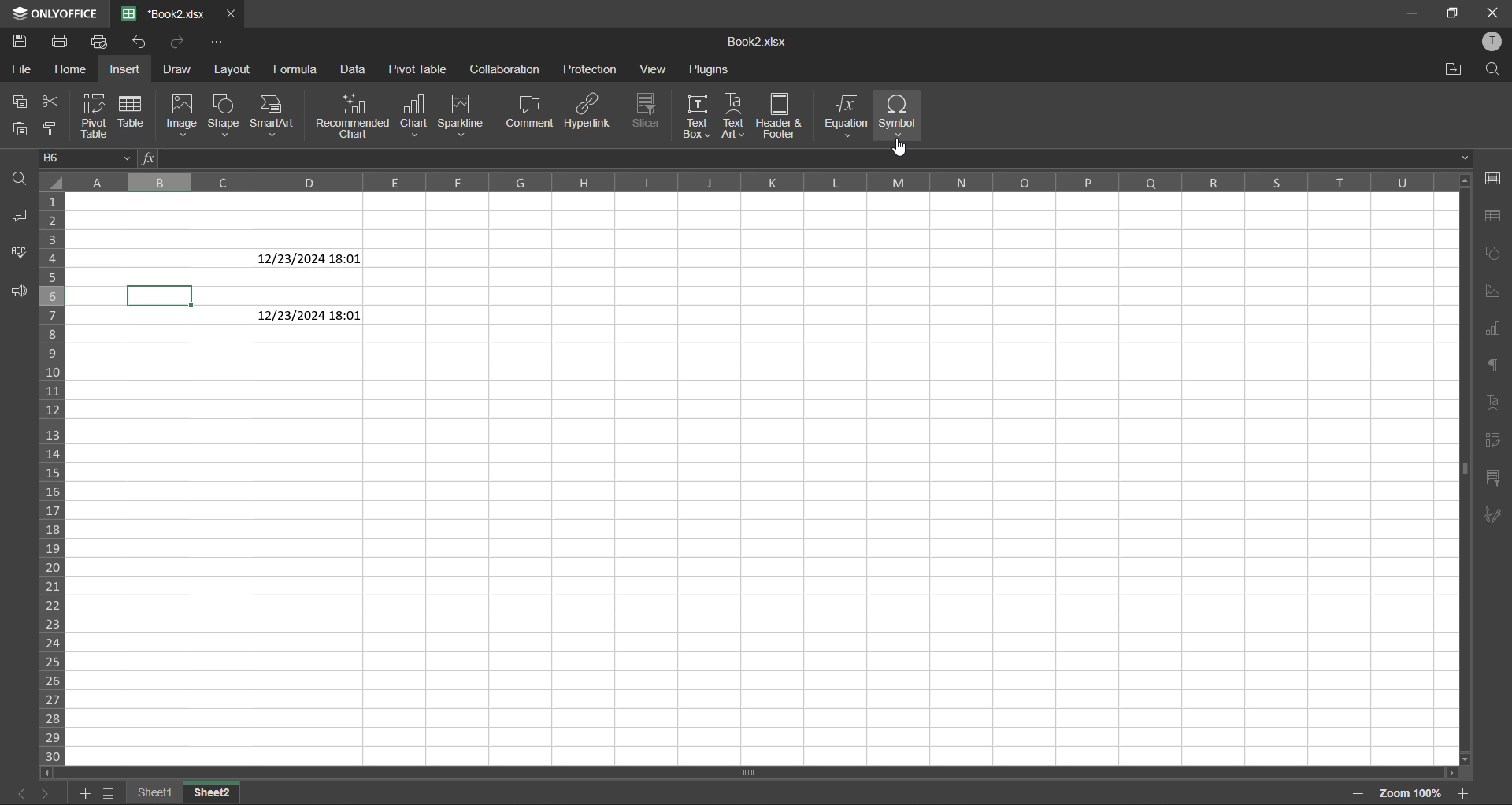 This screenshot has width=1512, height=805. What do you see at coordinates (46, 793) in the screenshot?
I see `next` at bounding box center [46, 793].